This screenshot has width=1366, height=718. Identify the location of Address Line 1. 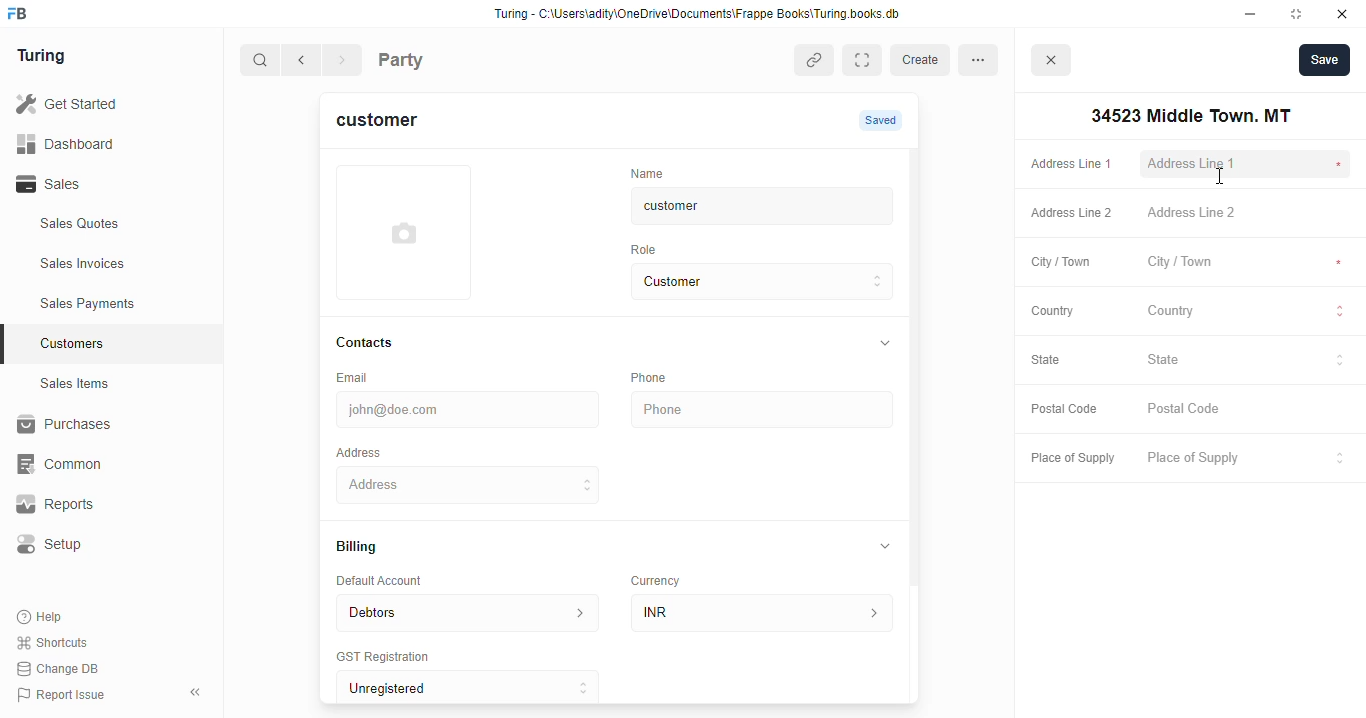
(1070, 162).